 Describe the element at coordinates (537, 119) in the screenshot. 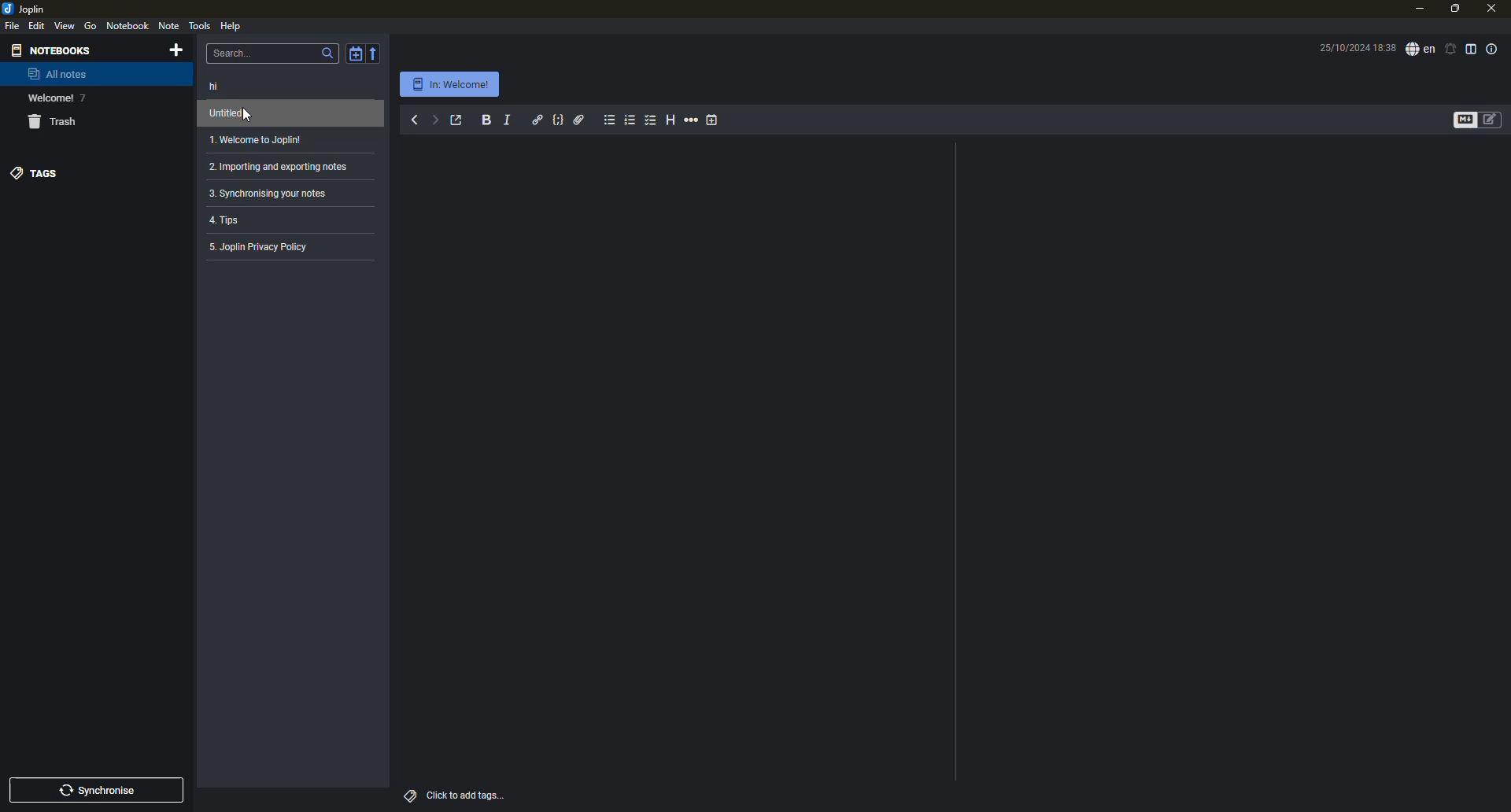

I see `hyperlink` at that location.